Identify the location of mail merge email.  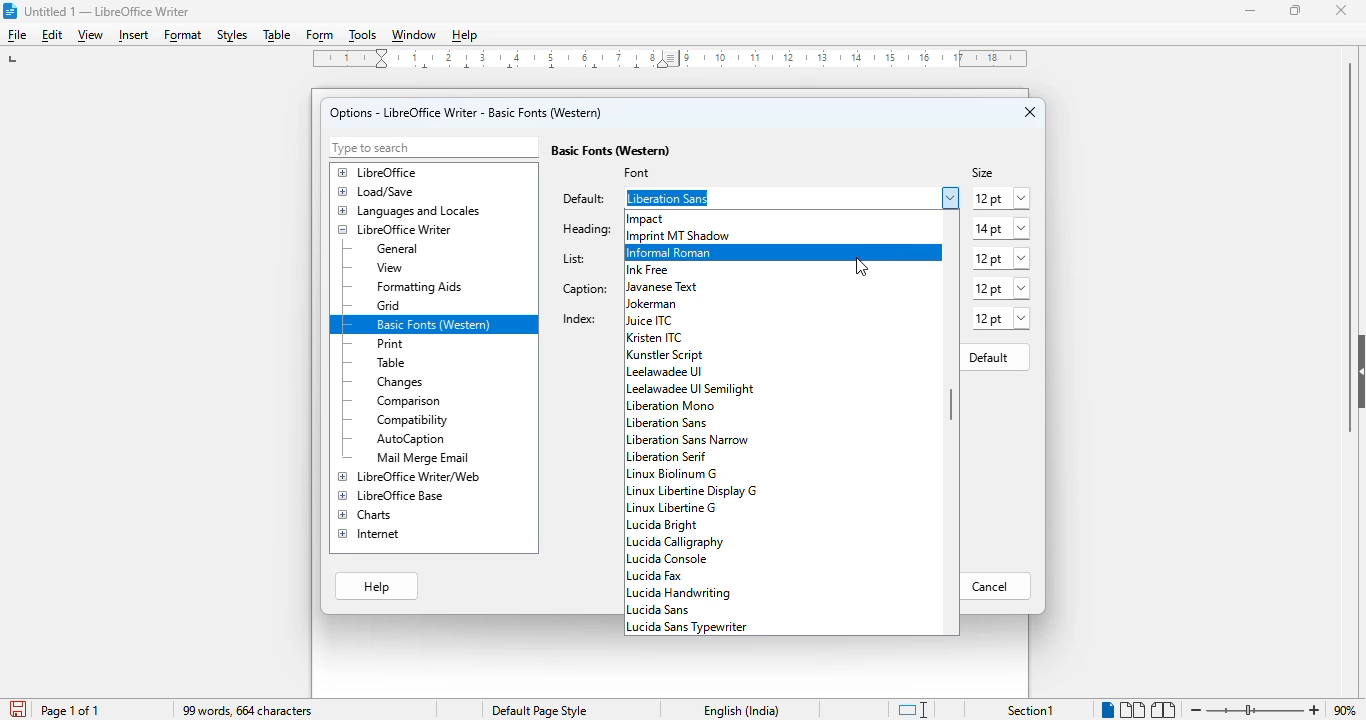
(424, 458).